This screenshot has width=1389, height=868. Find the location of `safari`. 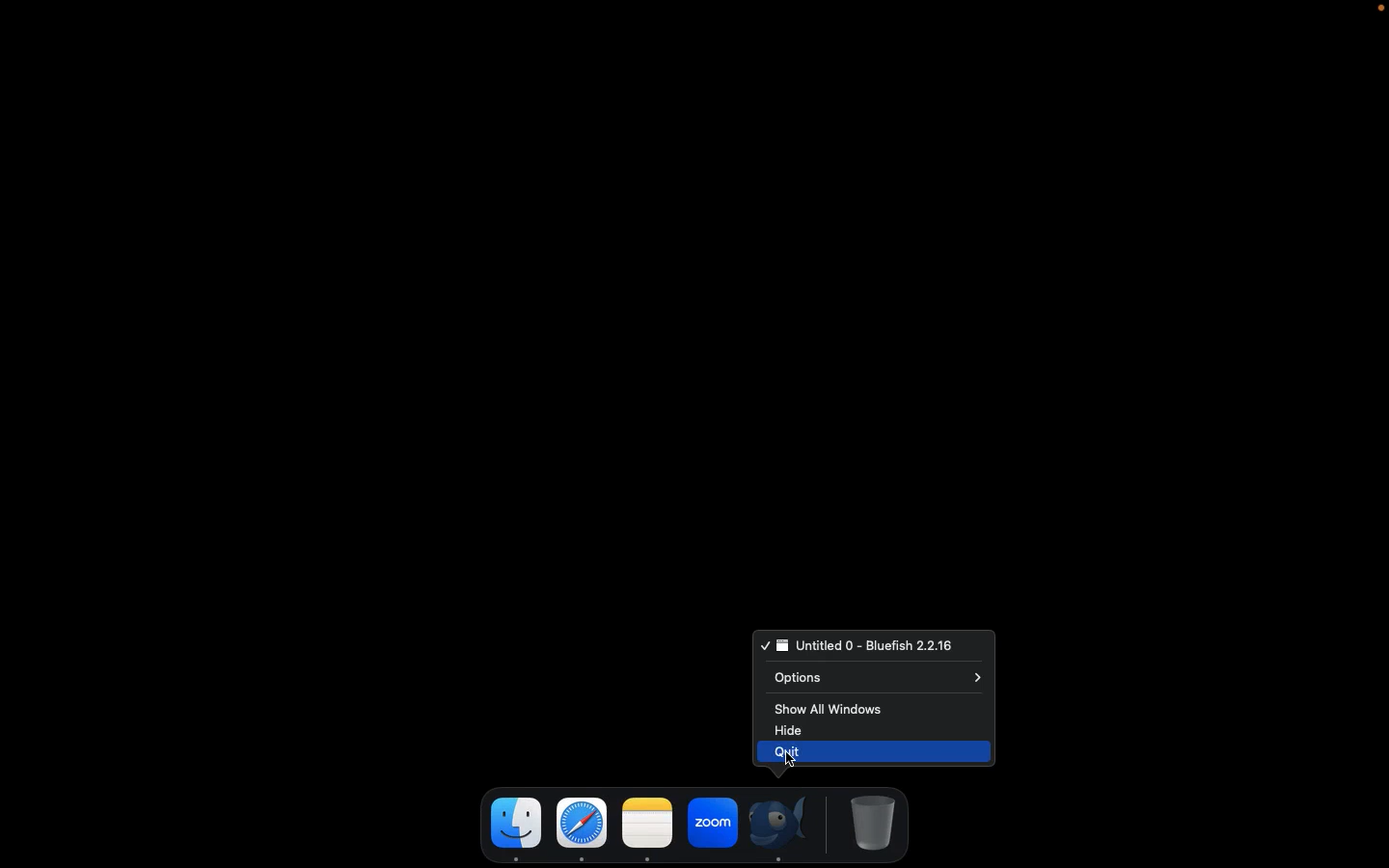

safari is located at coordinates (583, 823).